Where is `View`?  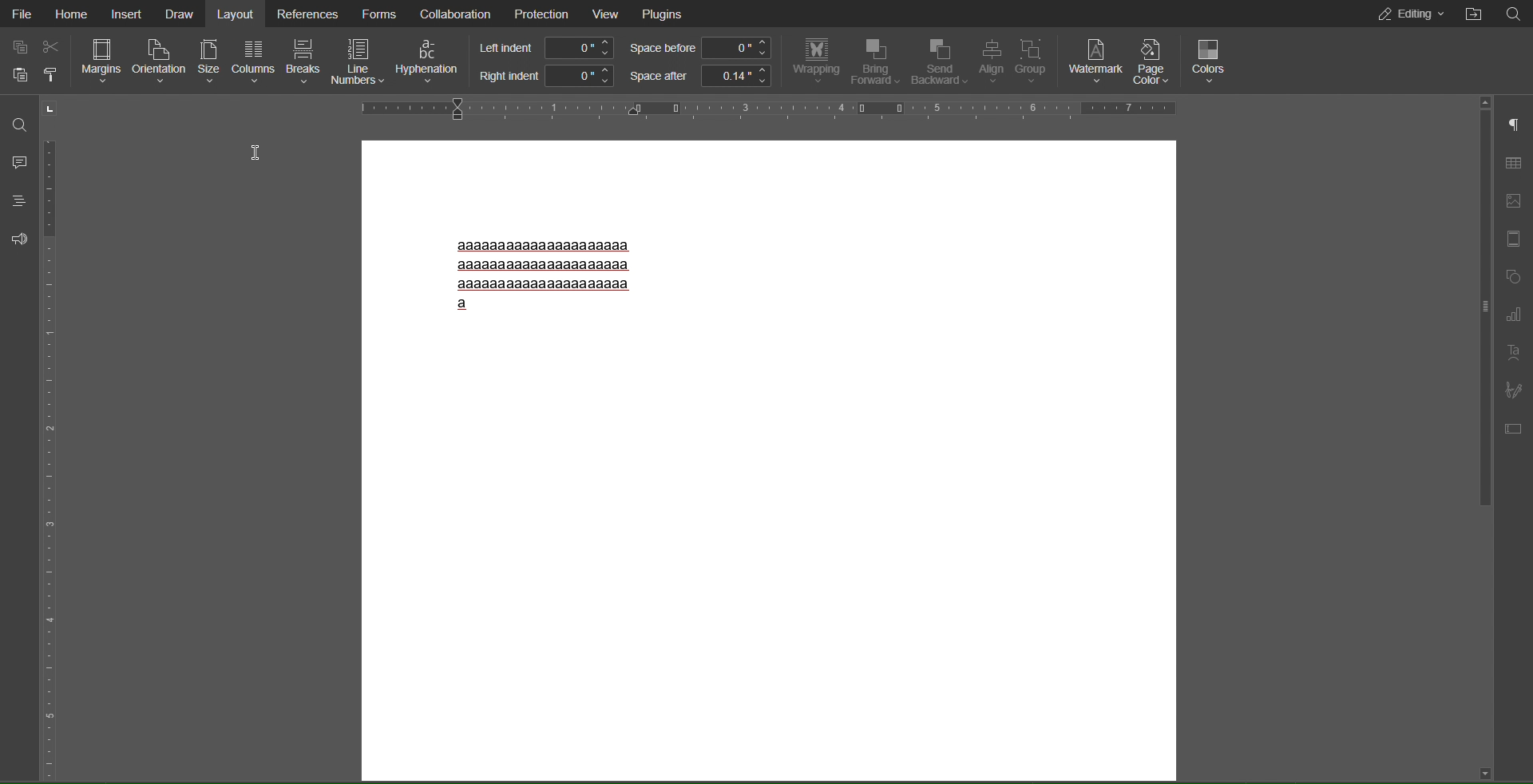
View is located at coordinates (608, 14).